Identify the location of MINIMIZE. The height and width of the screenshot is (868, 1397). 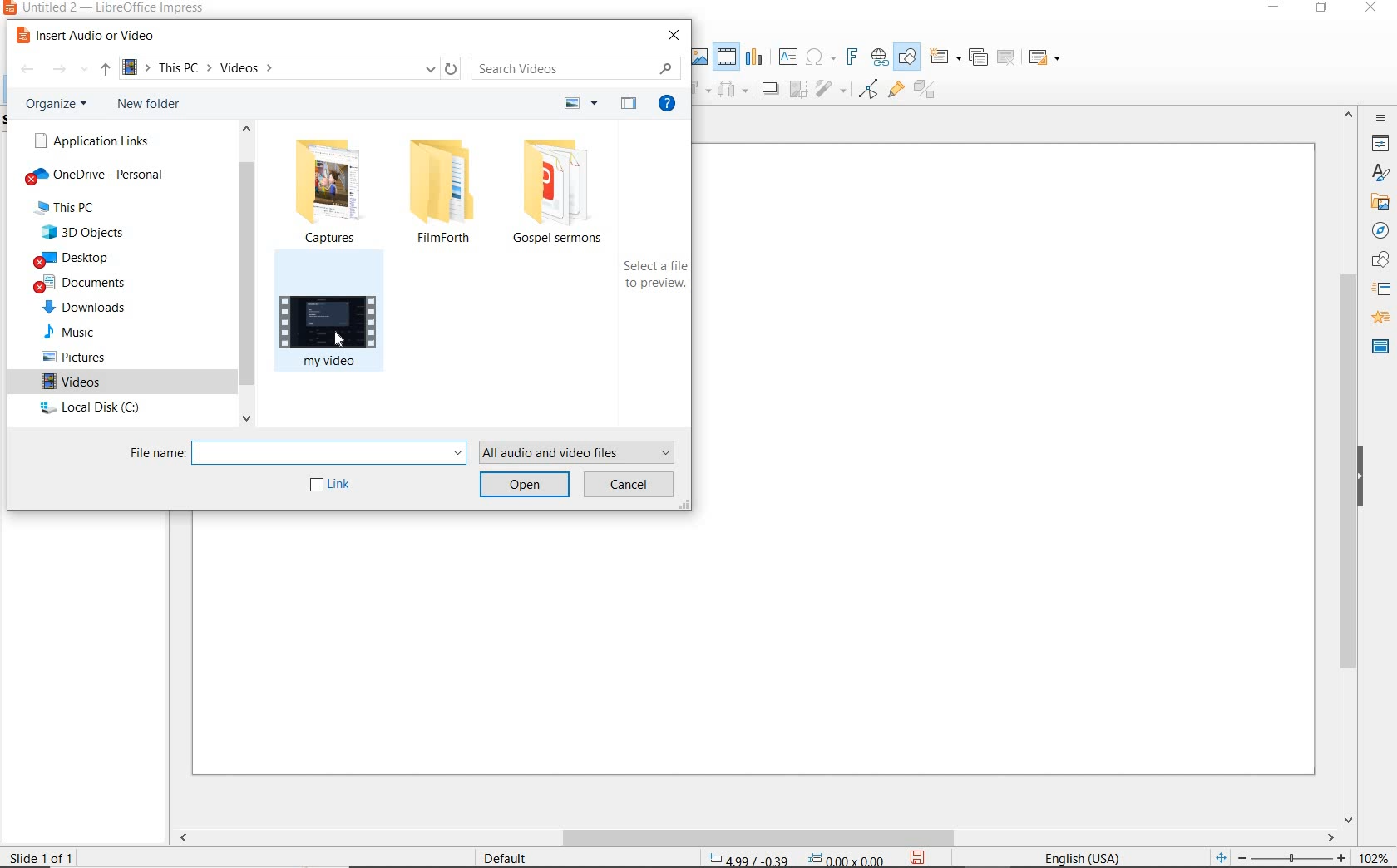
(1271, 8).